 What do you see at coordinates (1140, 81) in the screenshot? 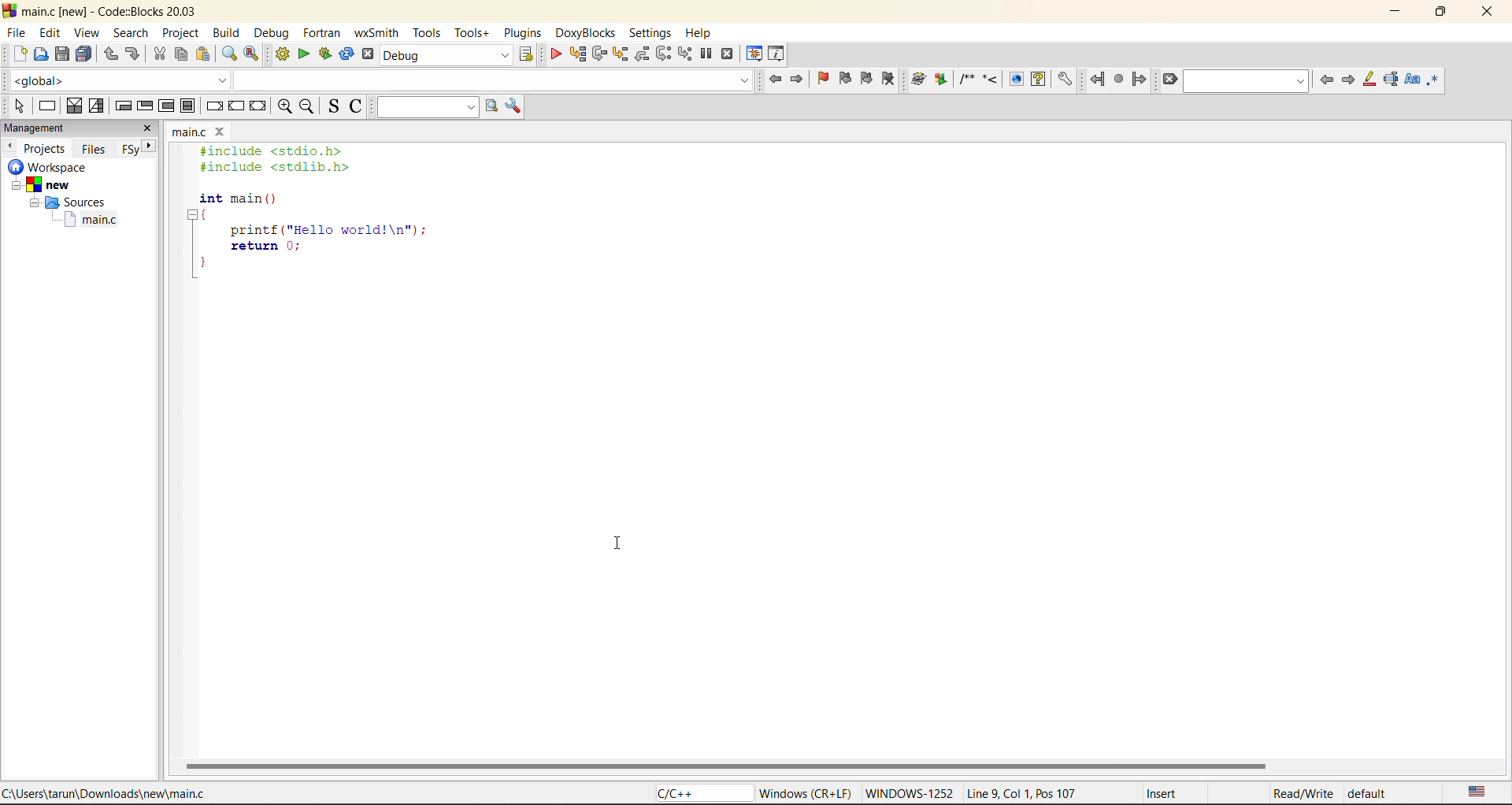
I see `jump forward` at bounding box center [1140, 81].